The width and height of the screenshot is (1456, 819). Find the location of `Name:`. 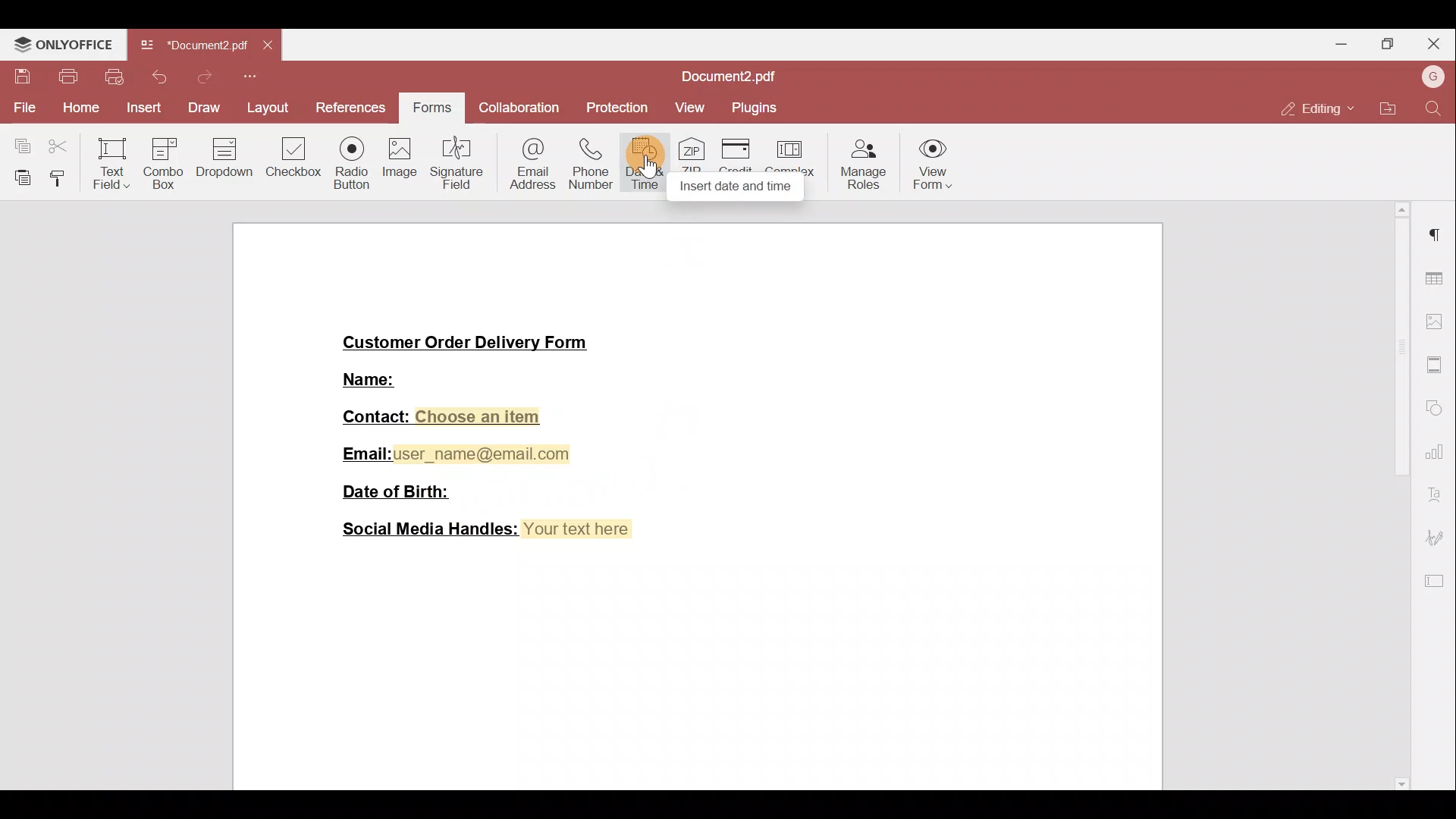

Name: is located at coordinates (371, 378).